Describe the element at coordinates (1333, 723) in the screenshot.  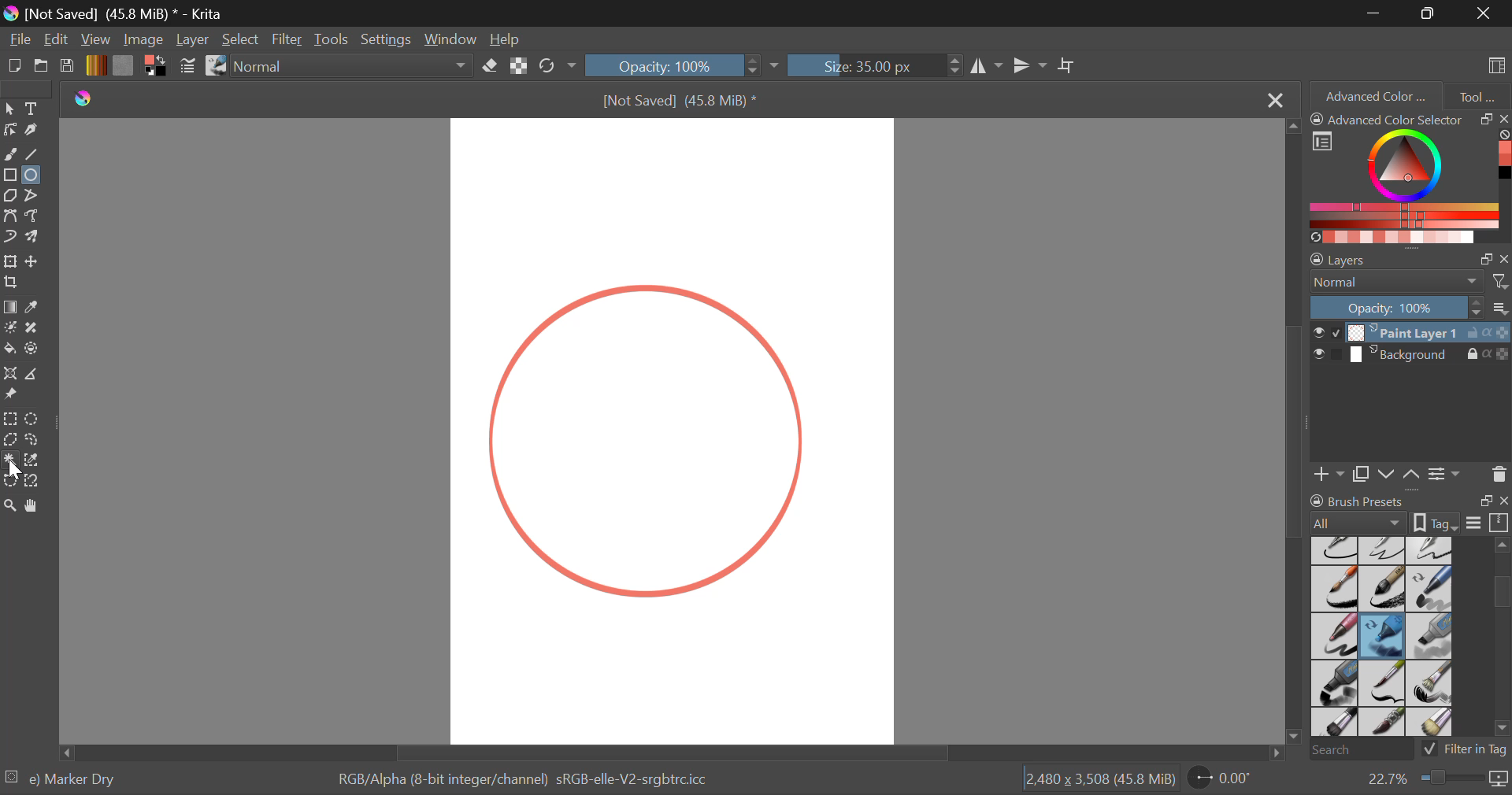
I see `Bristles-3 Large Smooth` at that location.